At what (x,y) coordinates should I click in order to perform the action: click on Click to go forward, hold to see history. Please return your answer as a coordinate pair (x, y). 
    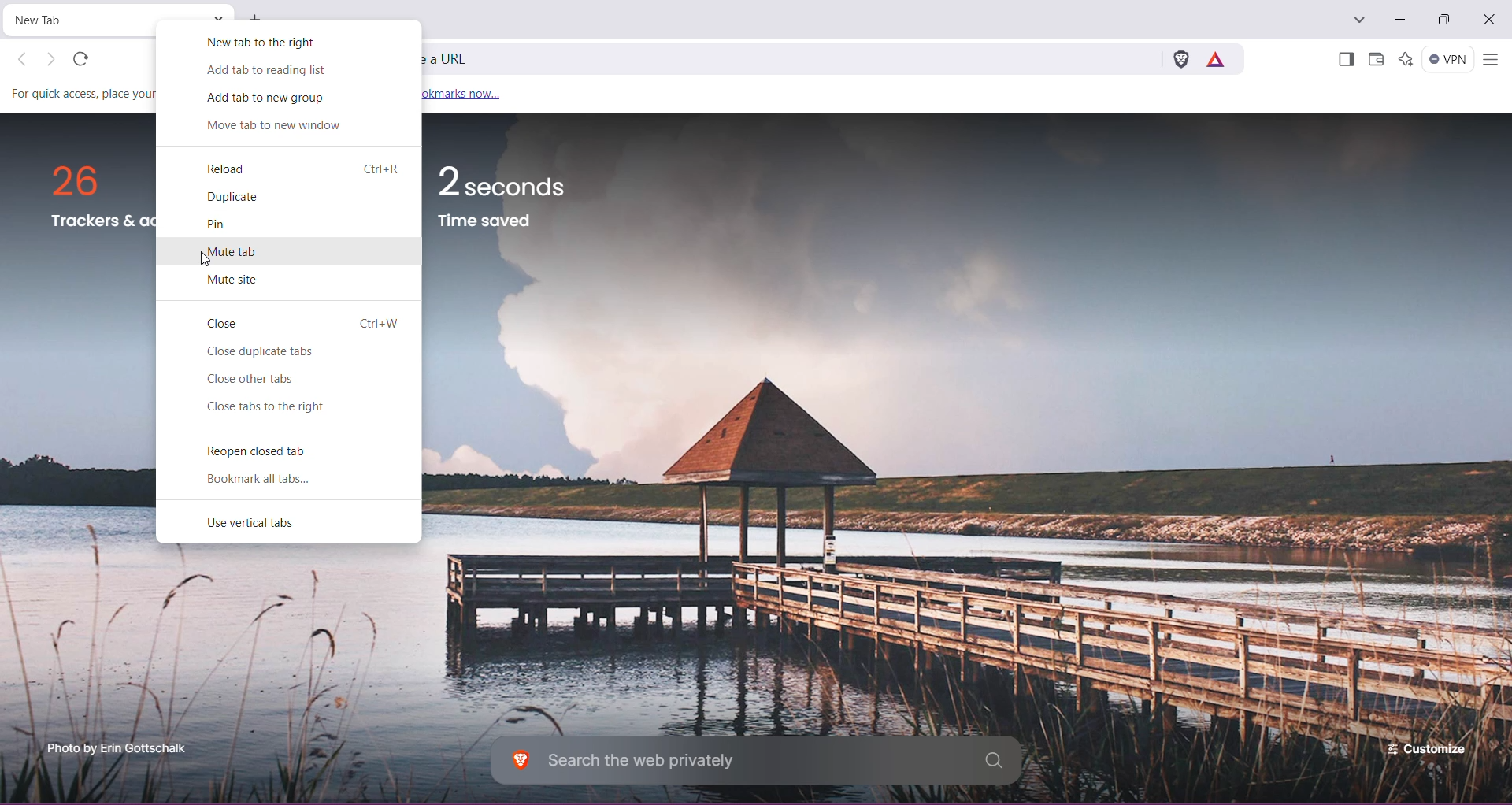
    Looking at the image, I should click on (51, 59).